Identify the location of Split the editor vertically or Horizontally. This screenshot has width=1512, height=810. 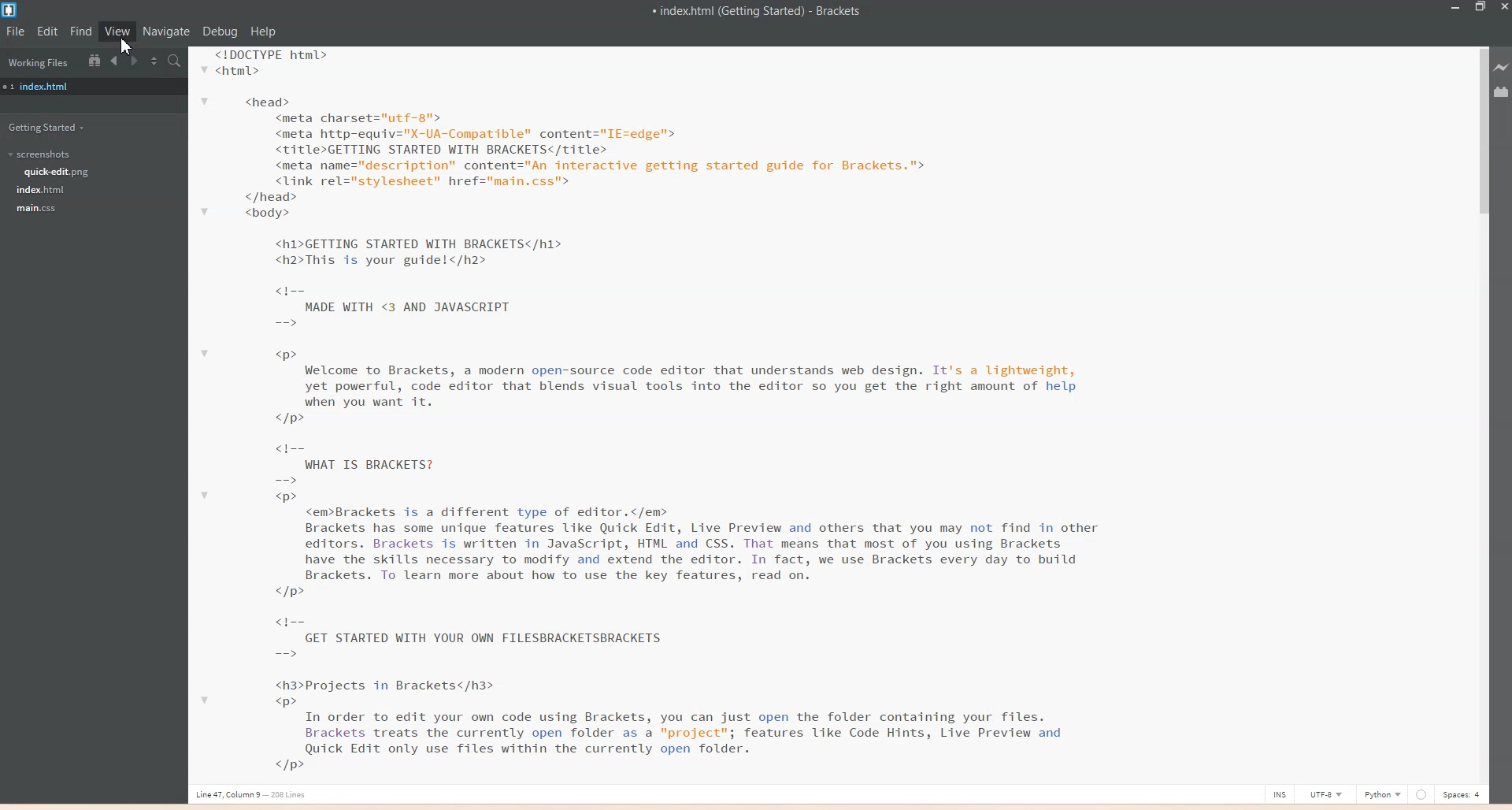
(155, 61).